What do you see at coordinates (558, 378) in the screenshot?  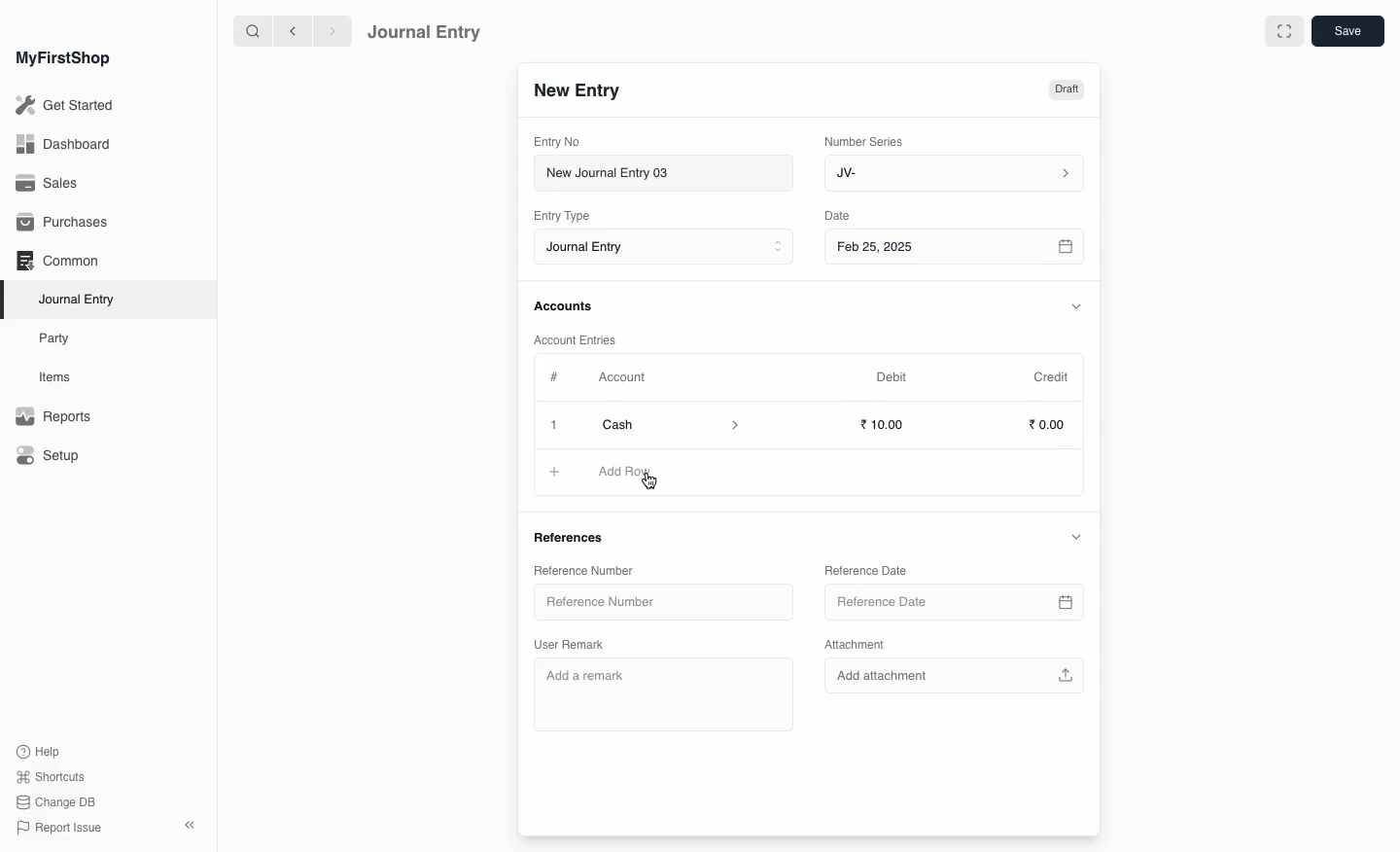 I see `Hashtag` at bounding box center [558, 378].